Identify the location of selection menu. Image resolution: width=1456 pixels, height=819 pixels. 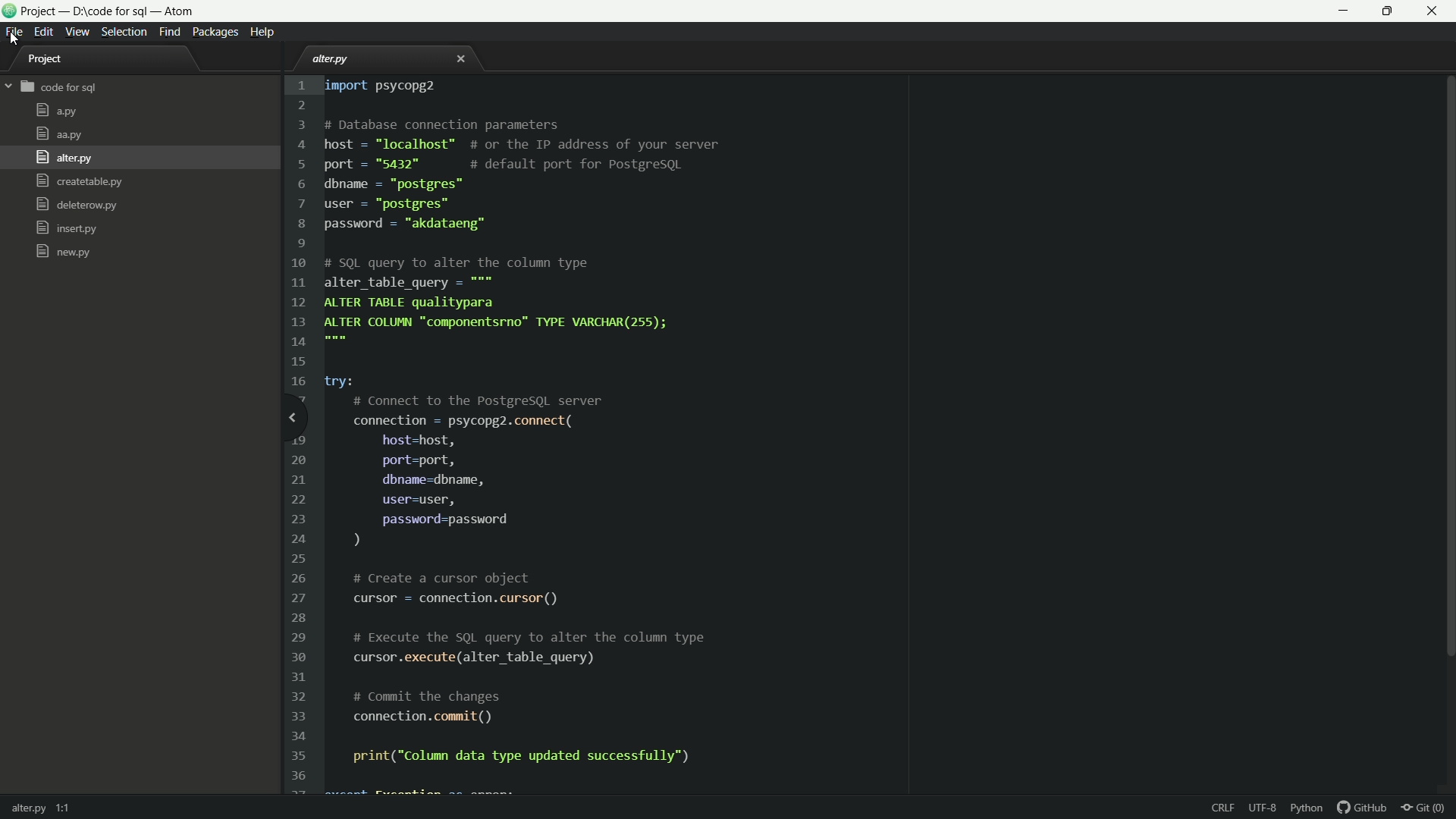
(124, 32).